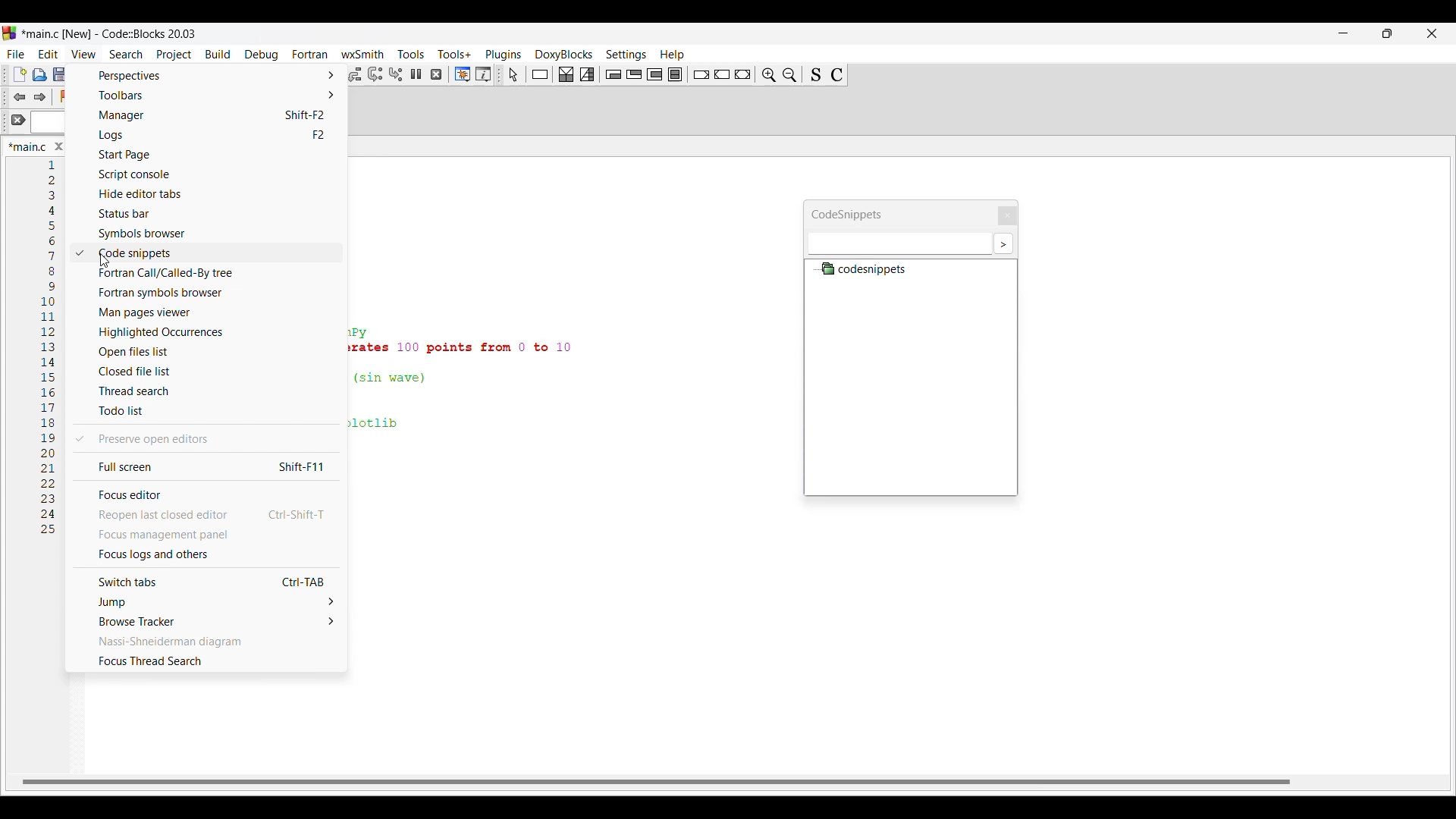 This screenshot has height=819, width=1456. Describe the element at coordinates (504, 55) in the screenshot. I see `Plugins menu` at that location.